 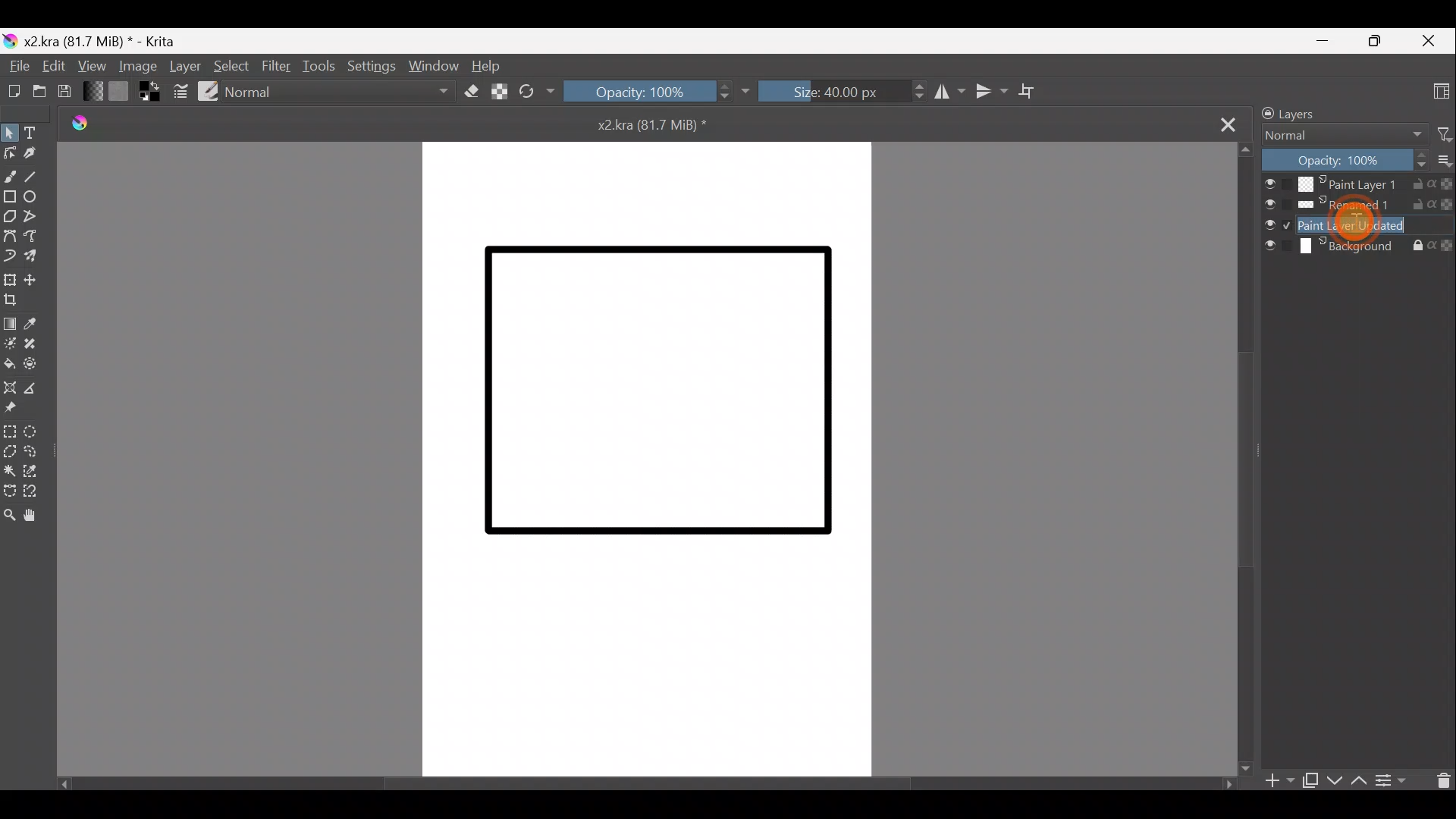 I want to click on Fill patterns, so click(x=120, y=90).